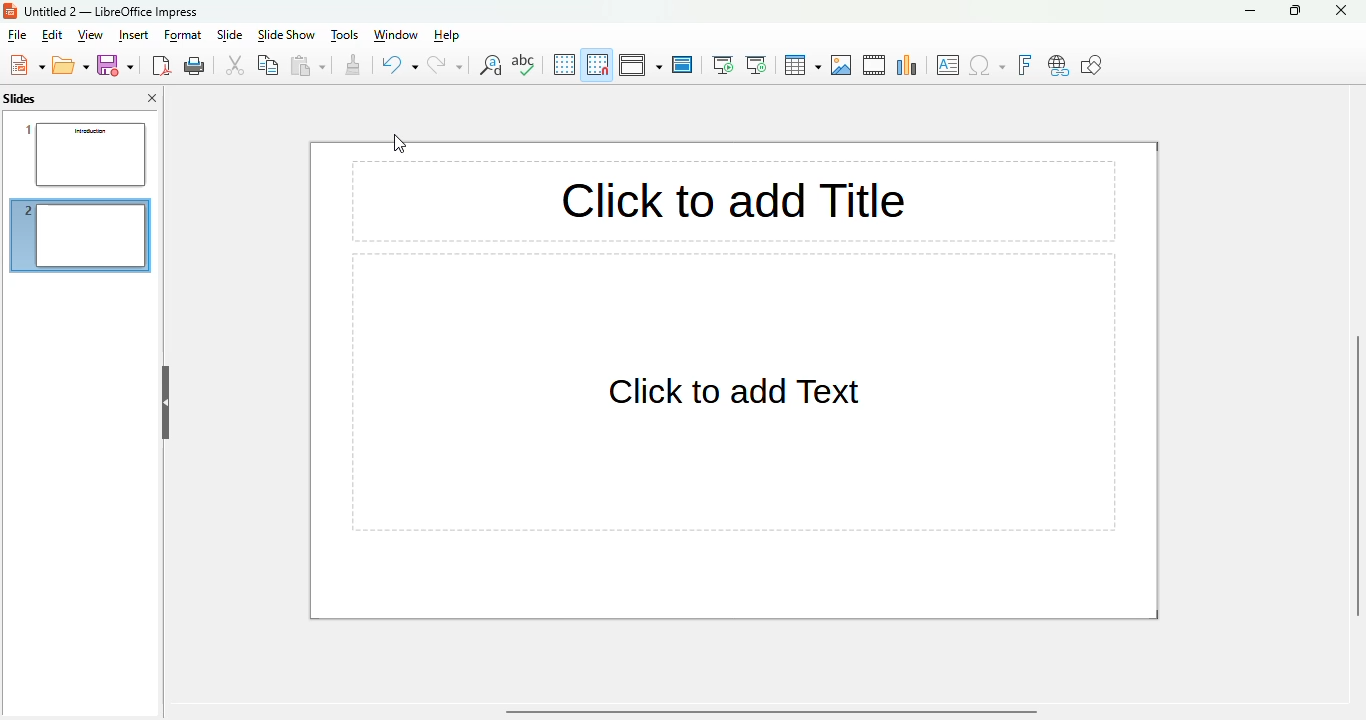 This screenshot has width=1366, height=720. I want to click on print, so click(195, 66).